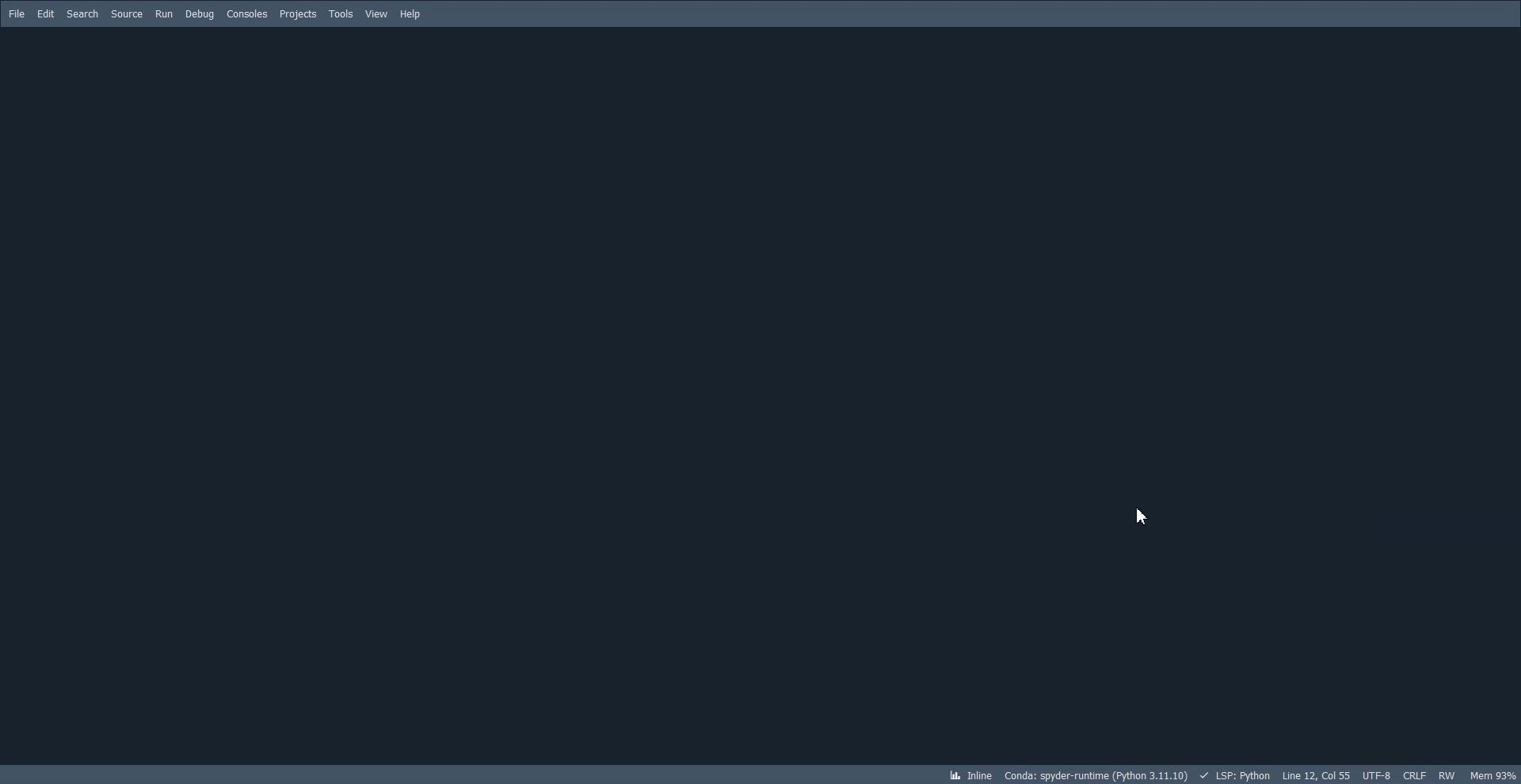 Image resolution: width=1521 pixels, height=784 pixels. I want to click on Tools, so click(341, 13).